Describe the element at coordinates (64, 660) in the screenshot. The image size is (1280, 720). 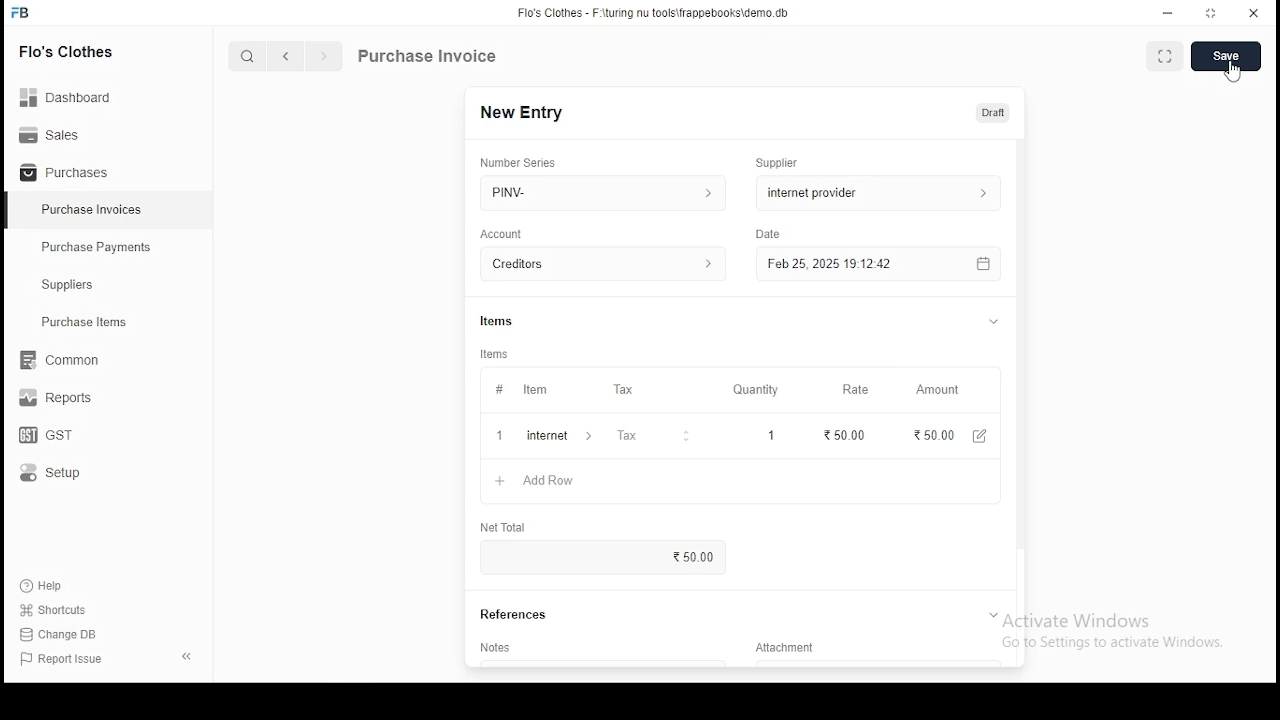
I see `report issue` at that location.